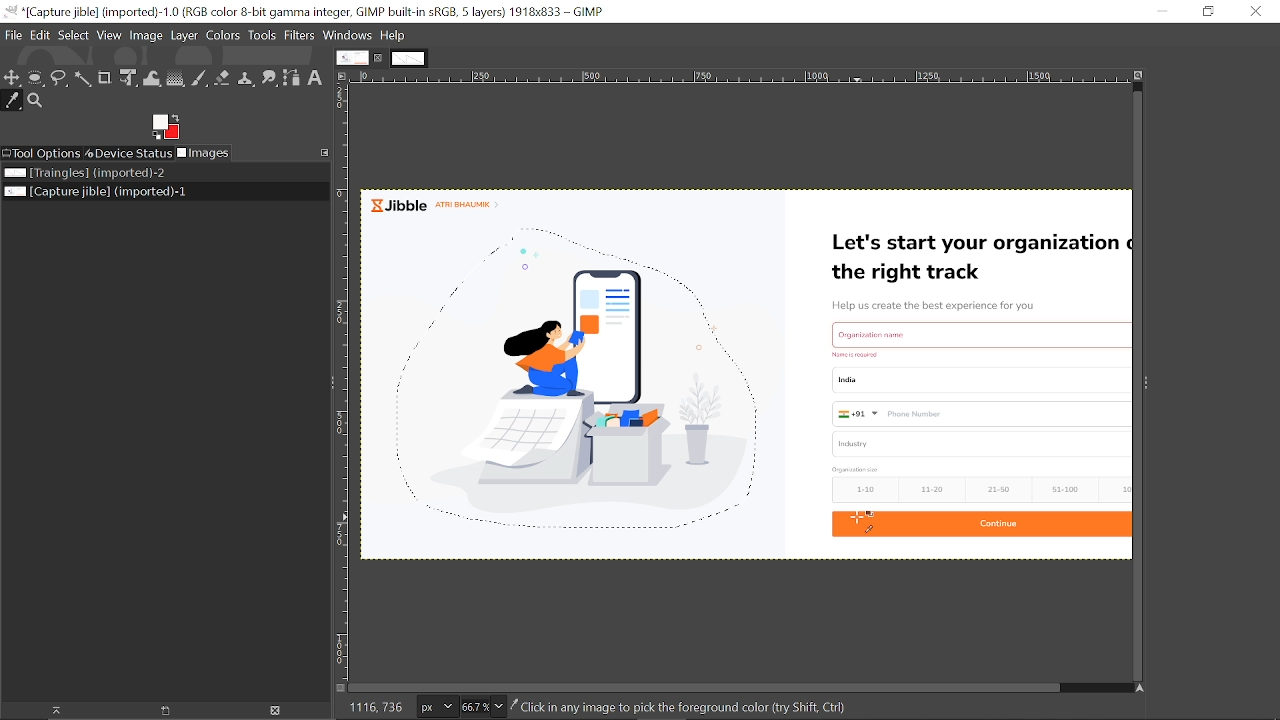 The height and width of the screenshot is (720, 1280). I want to click on Current window, so click(305, 12).